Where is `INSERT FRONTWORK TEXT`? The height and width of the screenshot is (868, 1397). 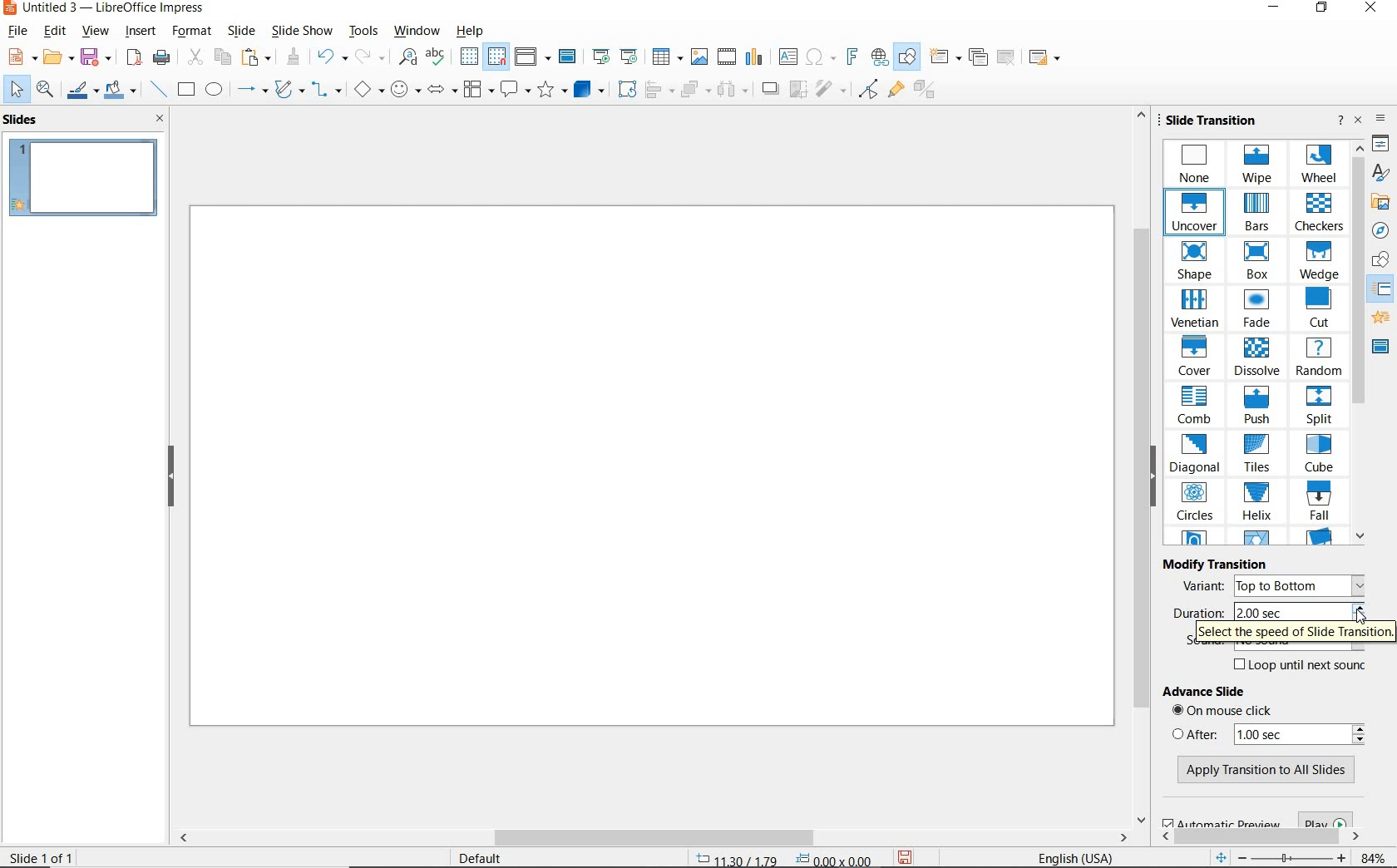
INSERT FRONTWORK TEXT is located at coordinates (851, 57).